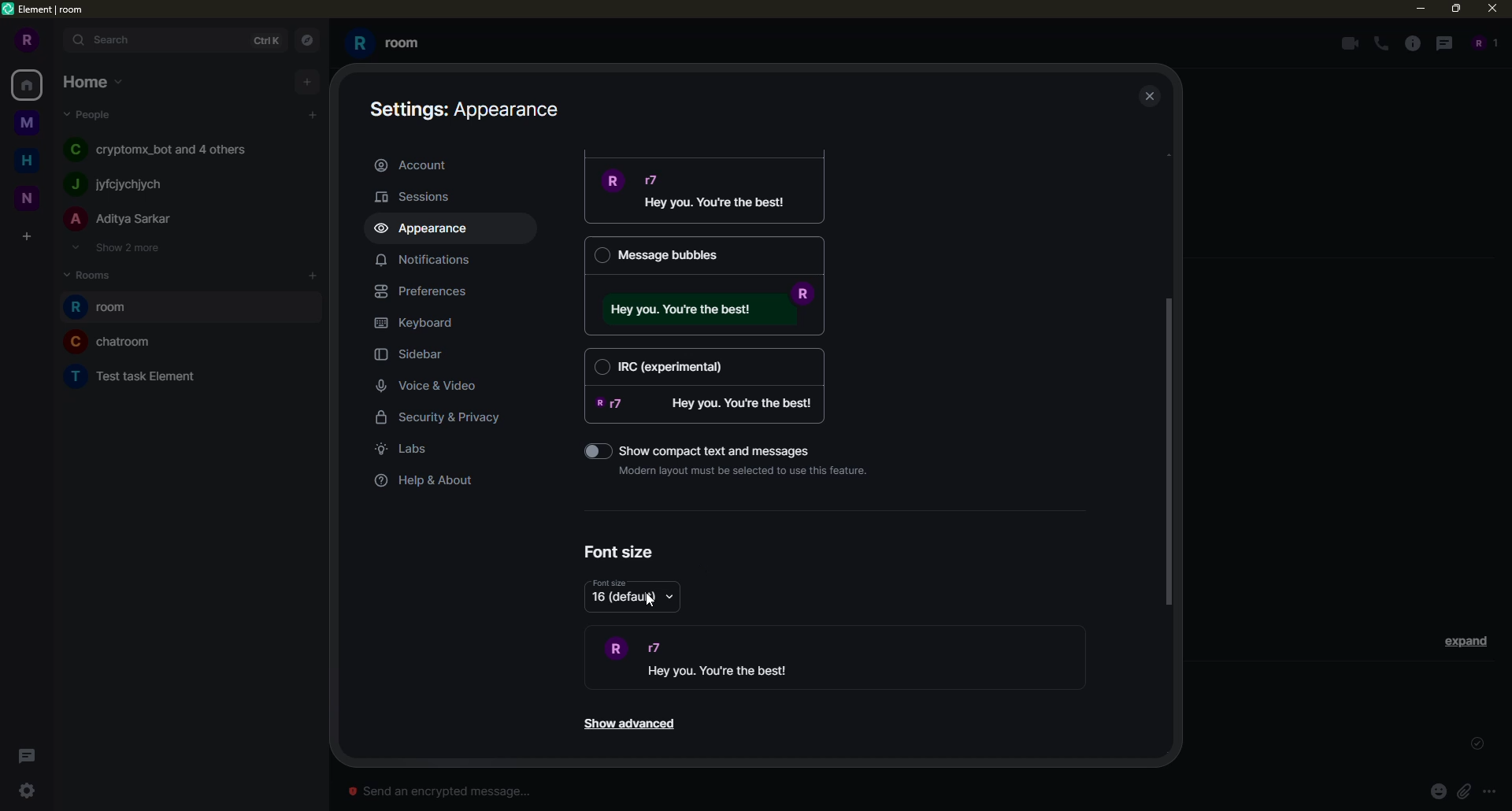 The width and height of the screenshot is (1512, 811). What do you see at coordinates (1490, 792) in the screenshot?
I see `more` at bounding box center [1490, 792].